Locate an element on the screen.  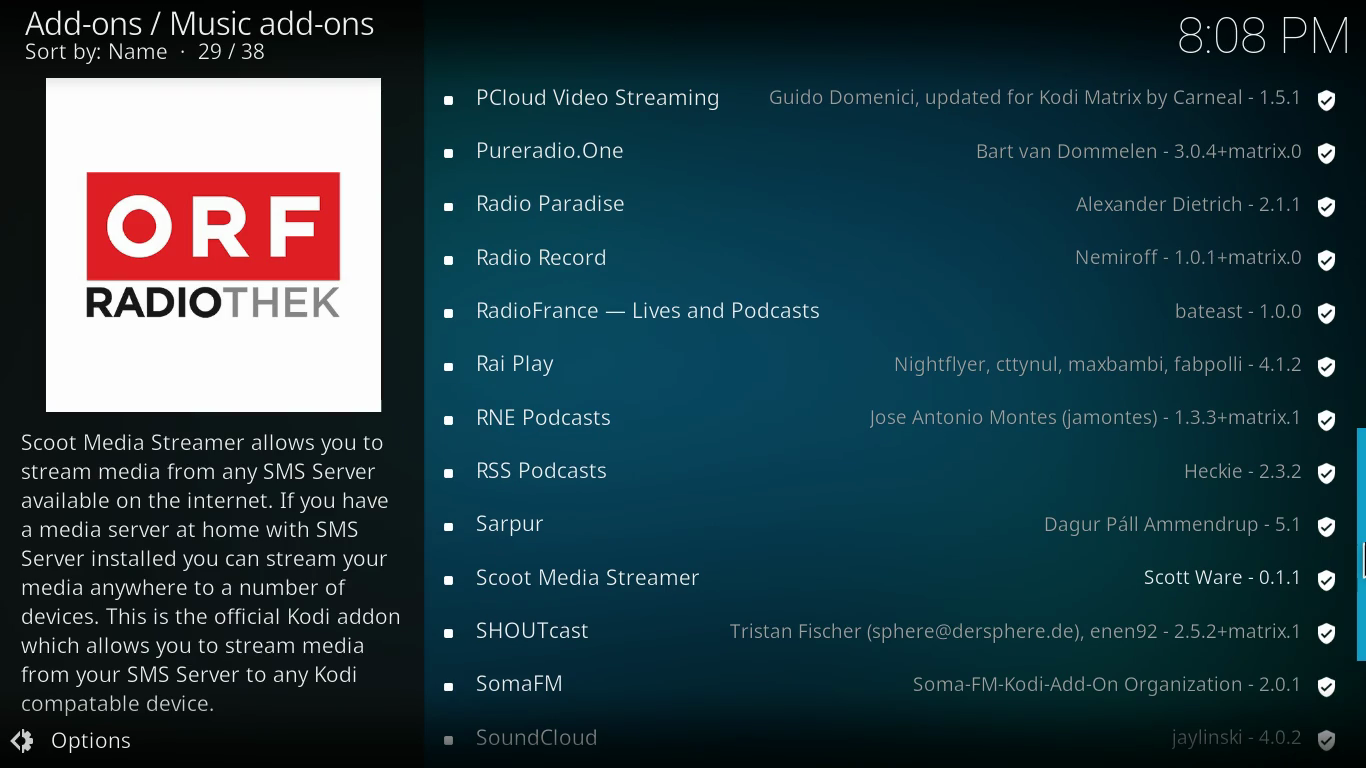
add-on is located at coordinates (533, 471).